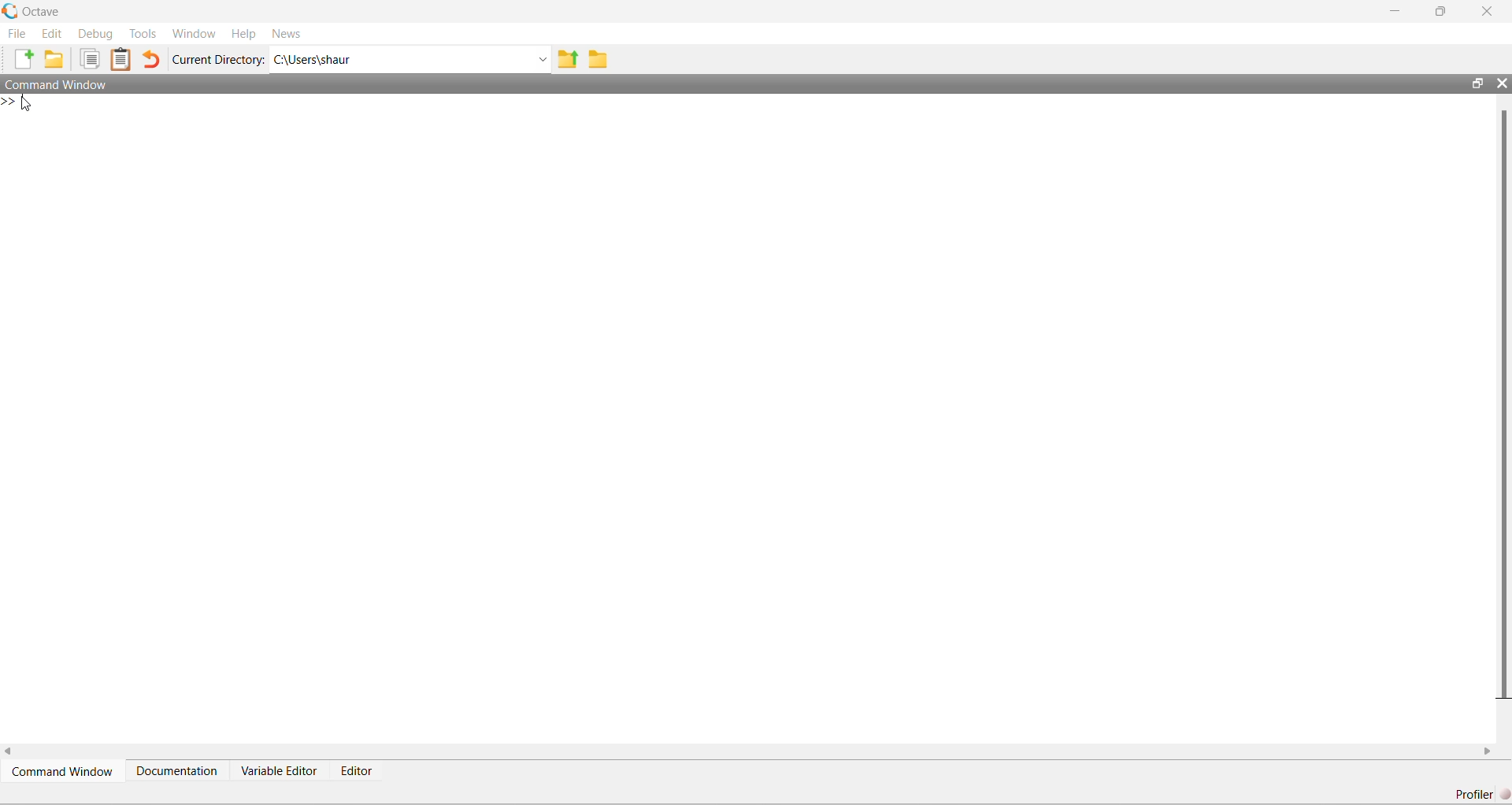 The image size is (1512, 805). I want to click on New Folder, so click(55, 59).